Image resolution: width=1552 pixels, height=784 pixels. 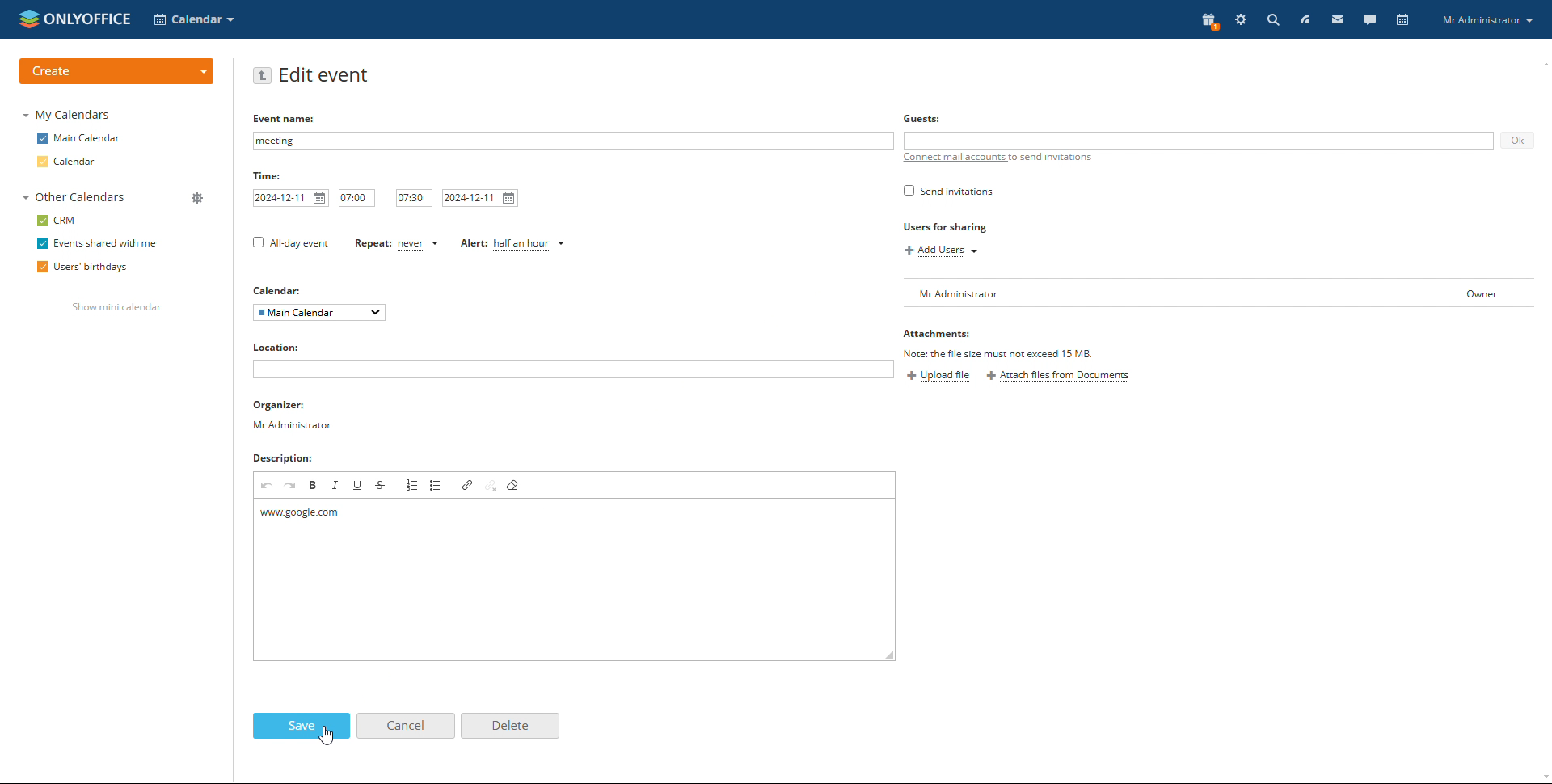 What do you see at coordinates (516, 484) in the screenshot?
I see `remove format` at bounding box center [516, 484].